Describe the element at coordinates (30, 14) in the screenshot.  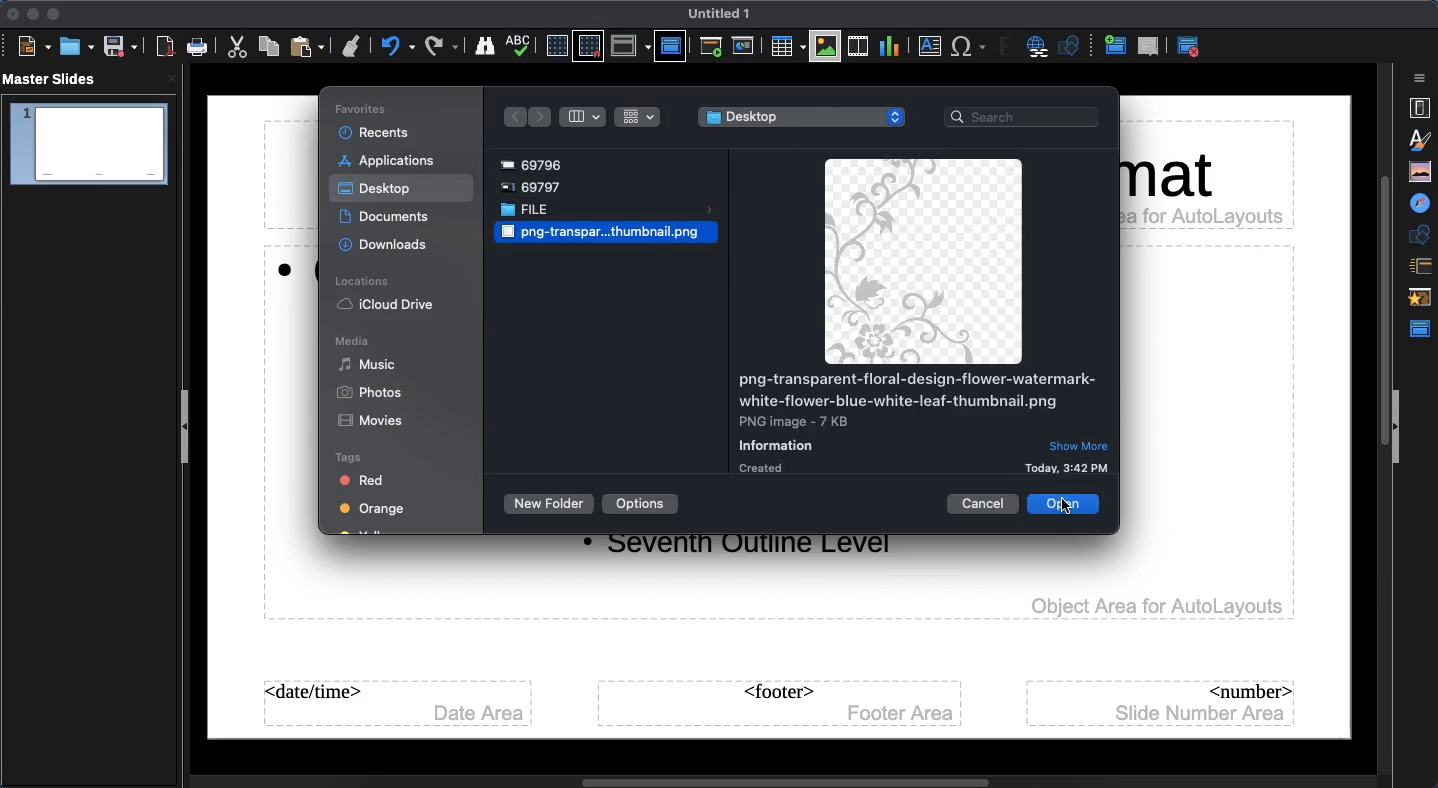
I see `Minimize` at that location.